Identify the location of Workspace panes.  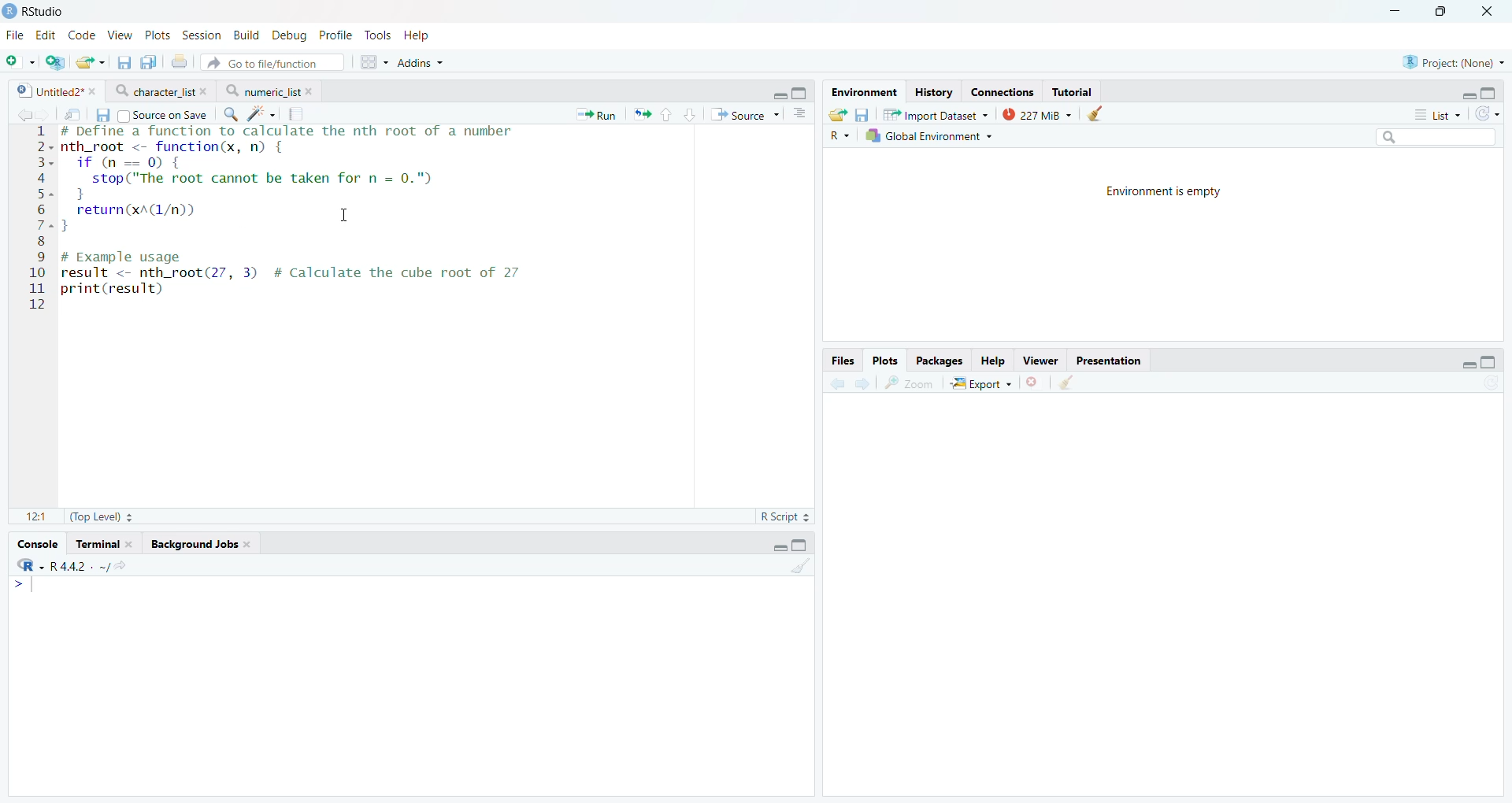
(372, 63).